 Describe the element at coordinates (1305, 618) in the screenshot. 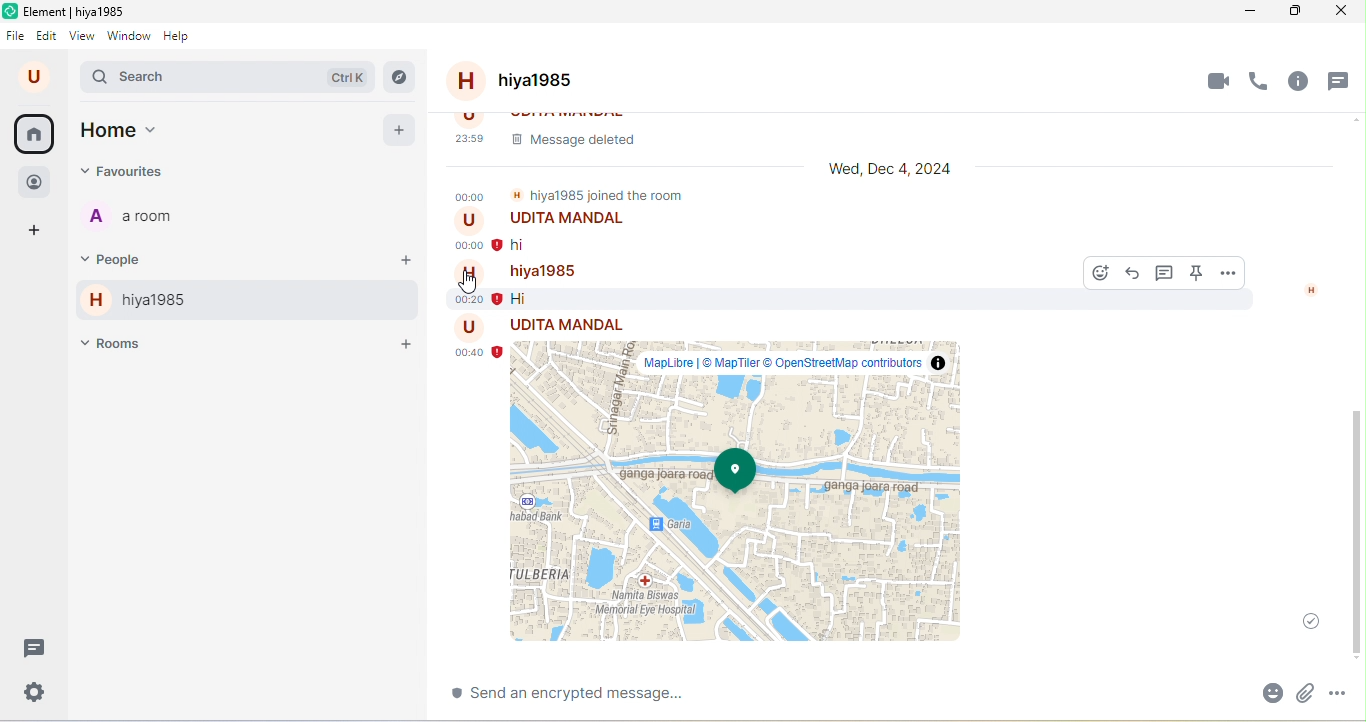

I see `read` at that location.